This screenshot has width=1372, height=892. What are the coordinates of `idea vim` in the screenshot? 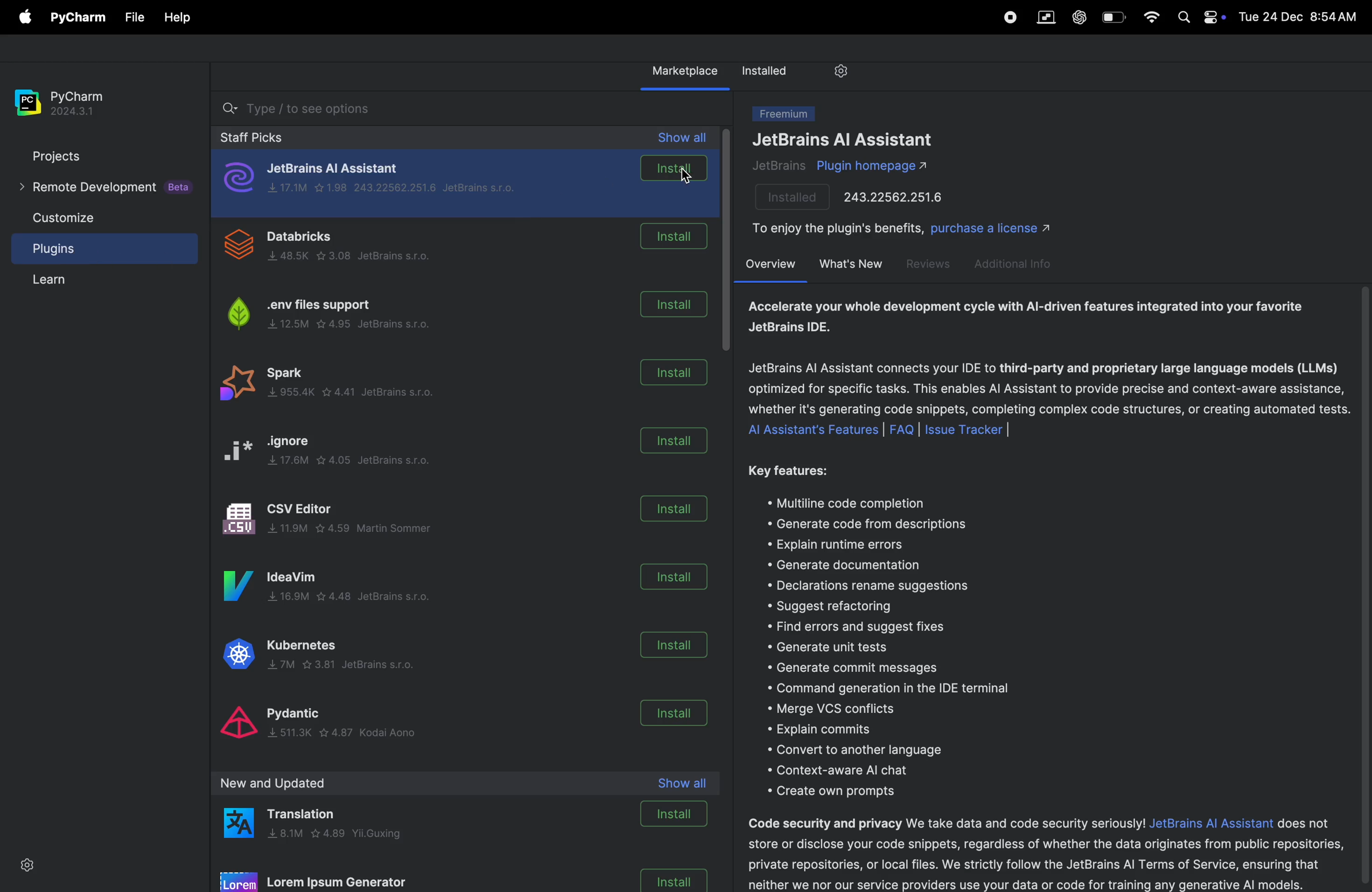 It's located at (328, 591).